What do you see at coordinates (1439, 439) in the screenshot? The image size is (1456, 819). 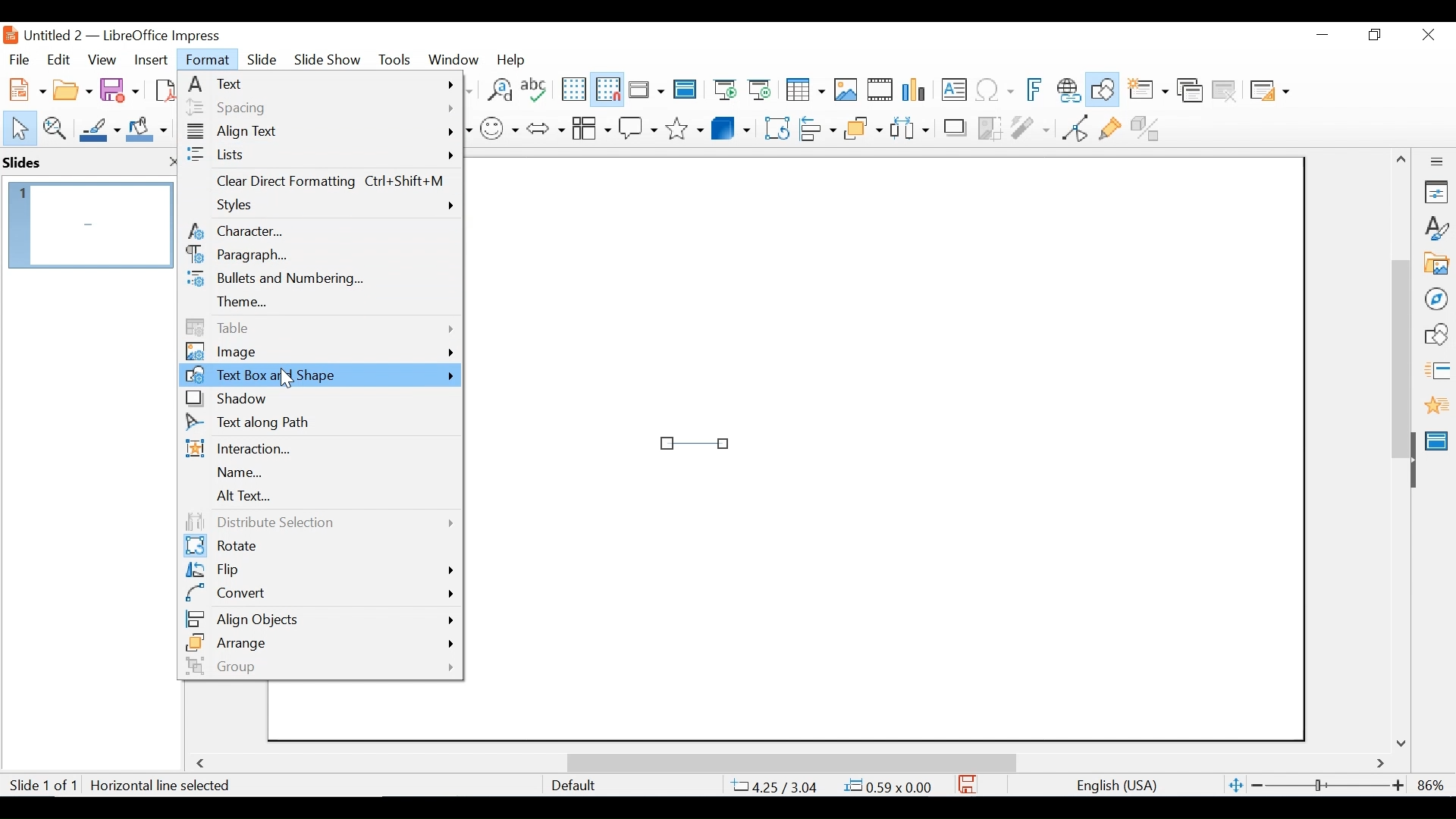 I see `Master Slide` at bounding box center [1439, 439].